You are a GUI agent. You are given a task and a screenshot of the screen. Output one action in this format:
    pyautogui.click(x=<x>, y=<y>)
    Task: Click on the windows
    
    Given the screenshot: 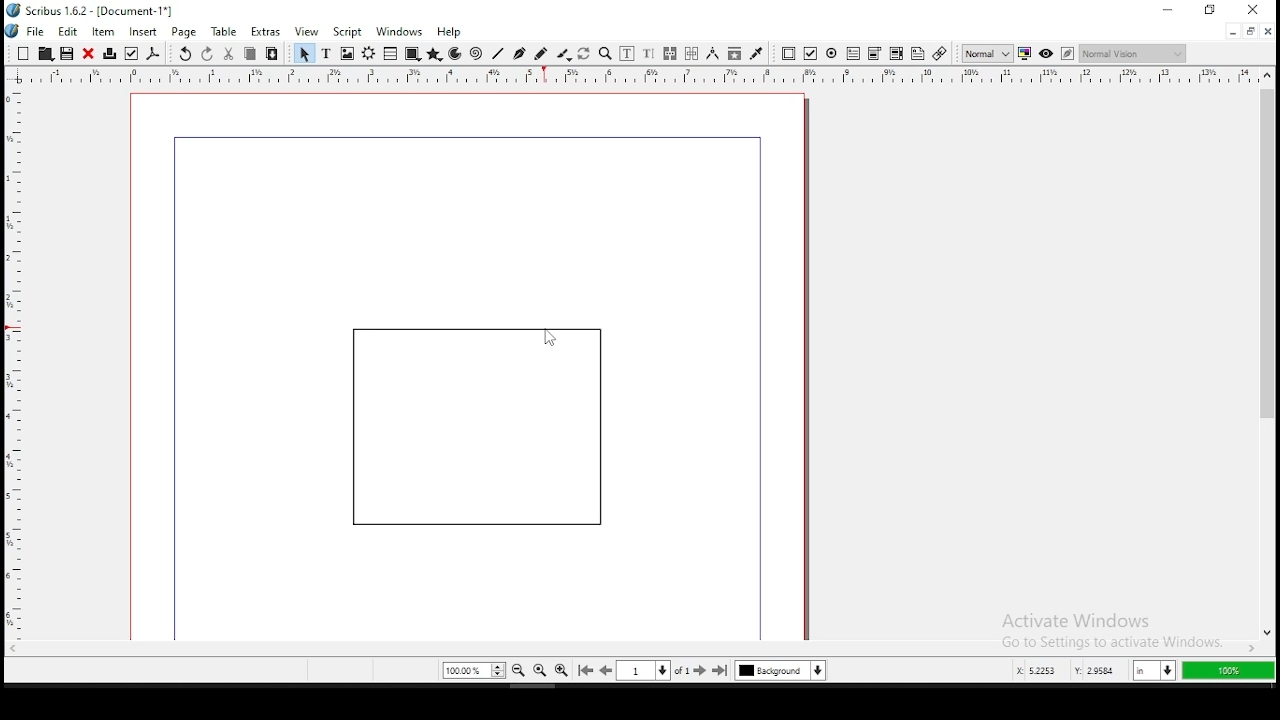 What is the action you would take?
    pyautogui.click(x=399, y=32)
    